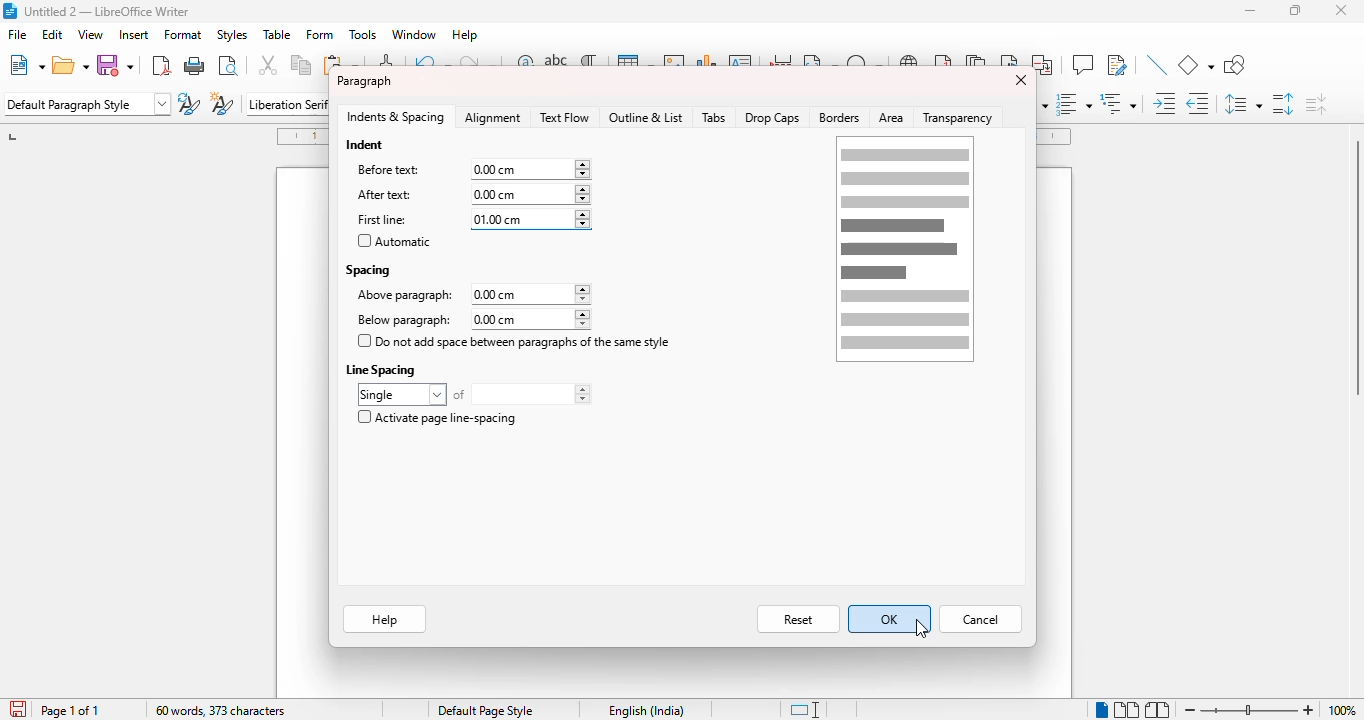 Image resolution: width=1364 pixels, height=720 pixels. I want to click on increase paragraph spacing, so click(1283, 103).